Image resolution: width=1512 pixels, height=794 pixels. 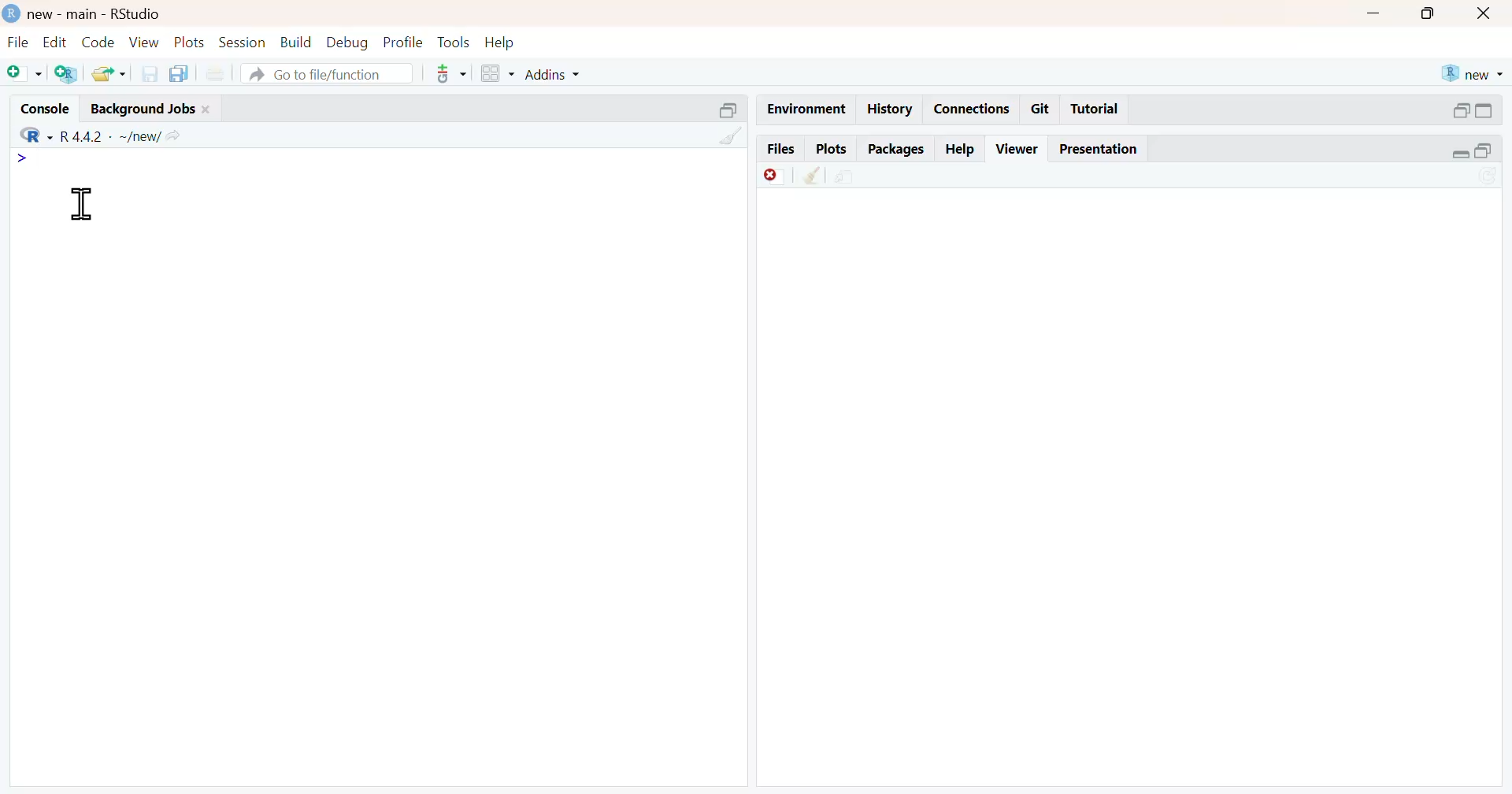 What do you see at coordinates (54, 42) in the screenshot?
I see `edit` at bounding box center [54, 42].